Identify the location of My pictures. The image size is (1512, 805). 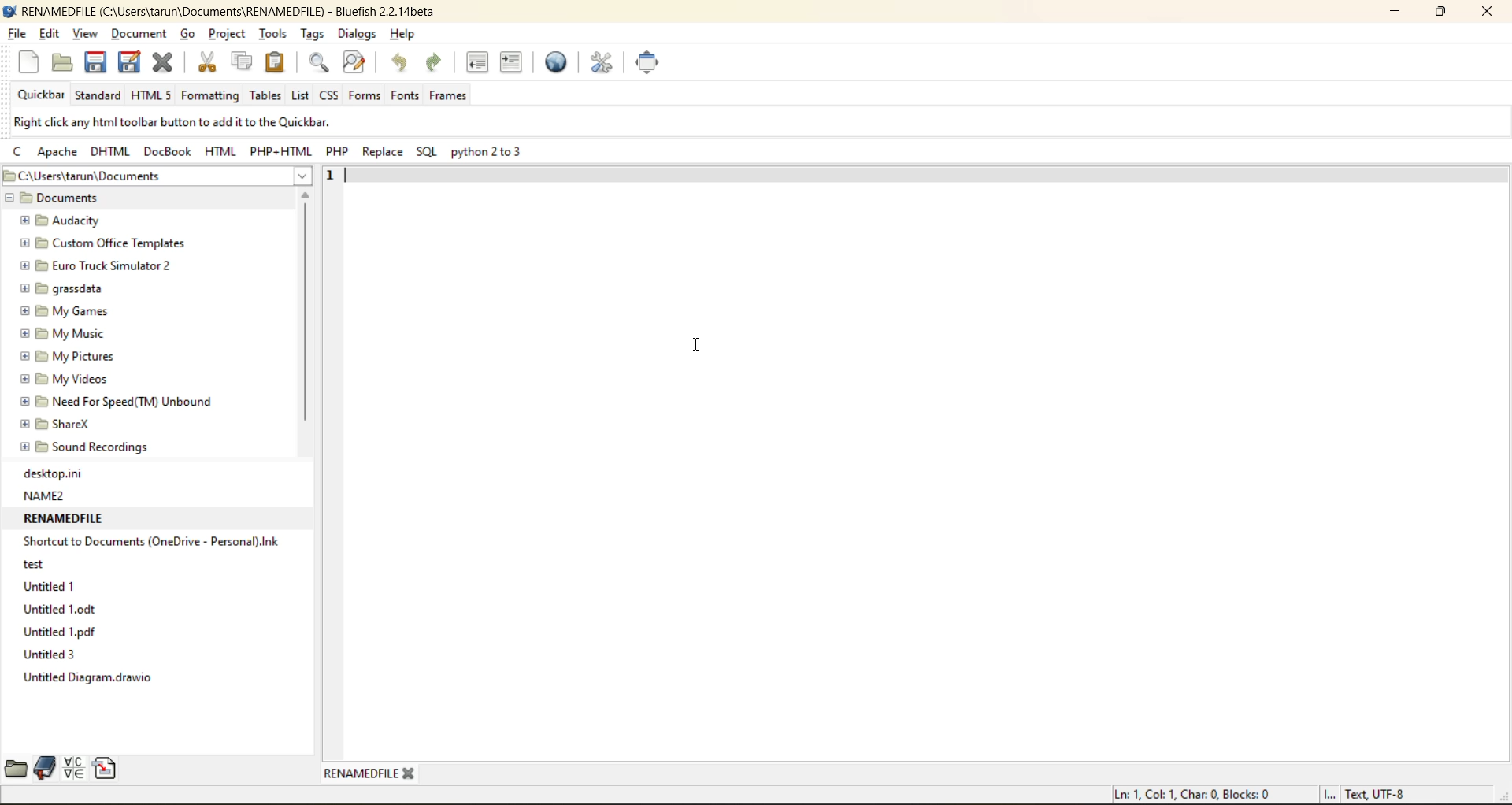
(65, 358).